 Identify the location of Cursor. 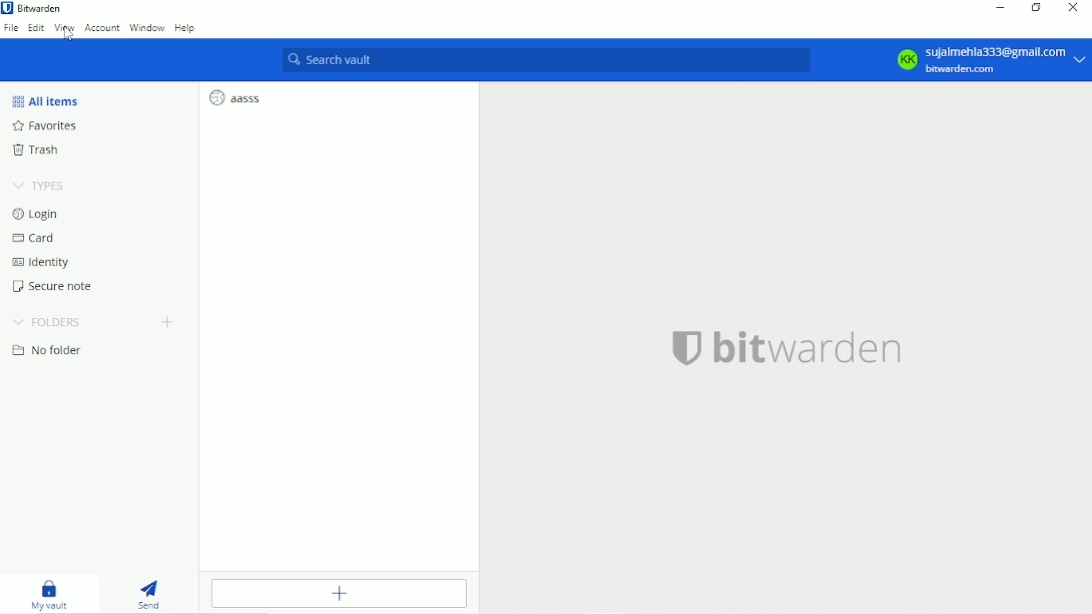
(68, 35).